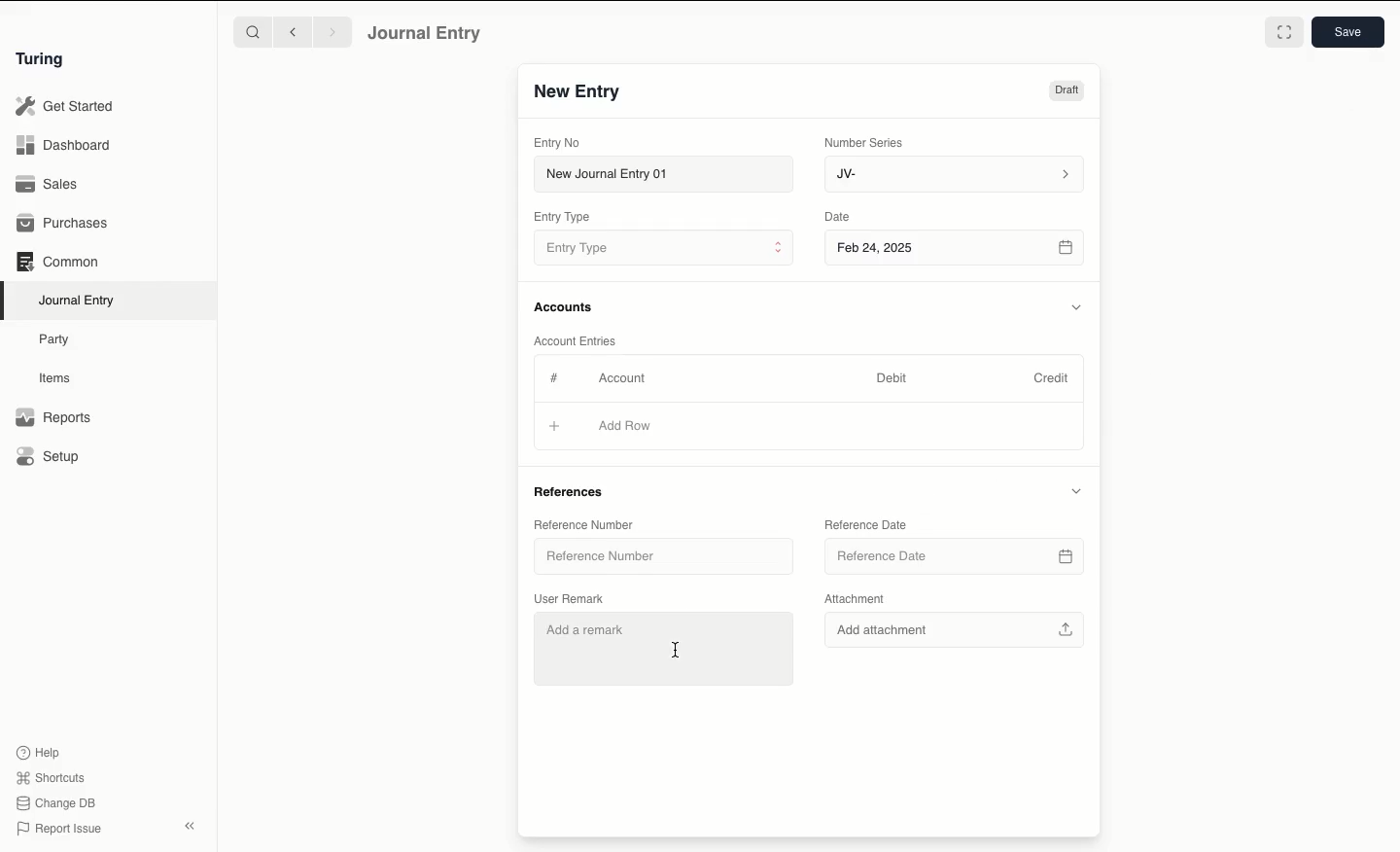 The image size is (1400, 852). Describe the element at coordinates (565, 307) in the screenshot. I see `Accounts` at that location.